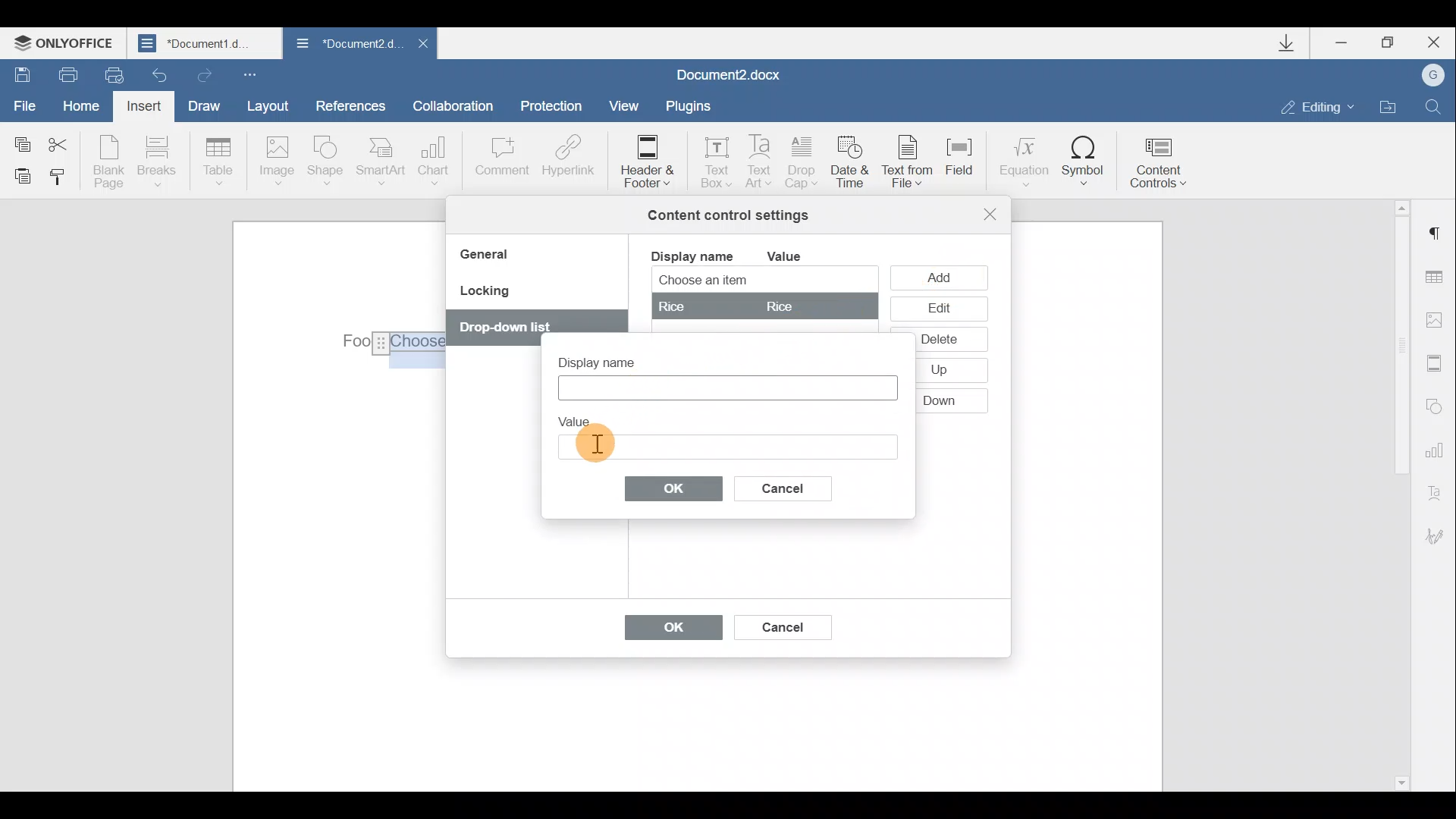  Describe the element at coordinates (1436, 234) in the screenshot. I see `Paragraph settings` at that location.